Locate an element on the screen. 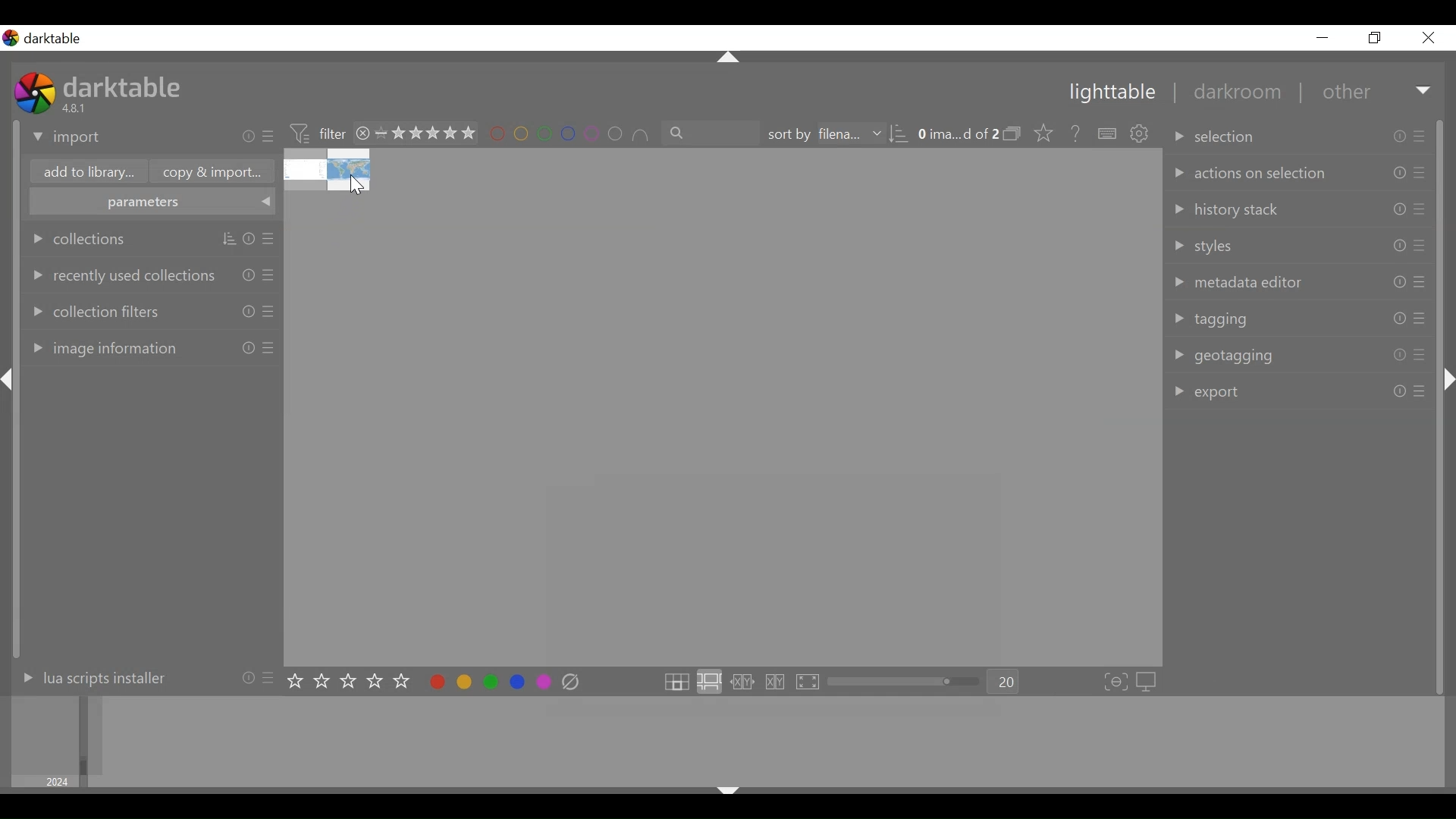   is located at coordinates (1322, 37).